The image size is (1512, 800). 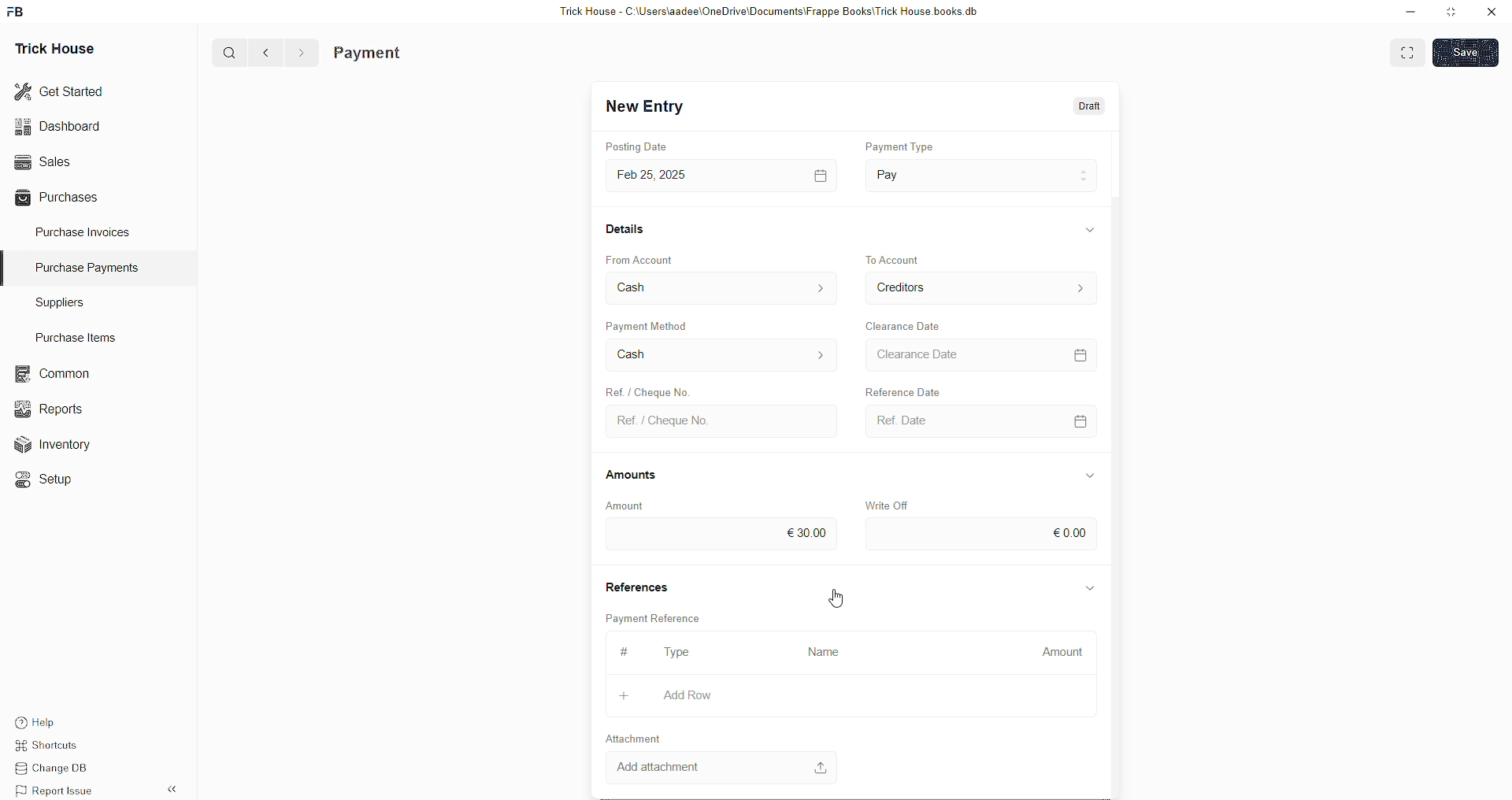 What do you see at coordinates (1492, 12) in the screenshot?
I see `close` at bounding box center [1492, 12].